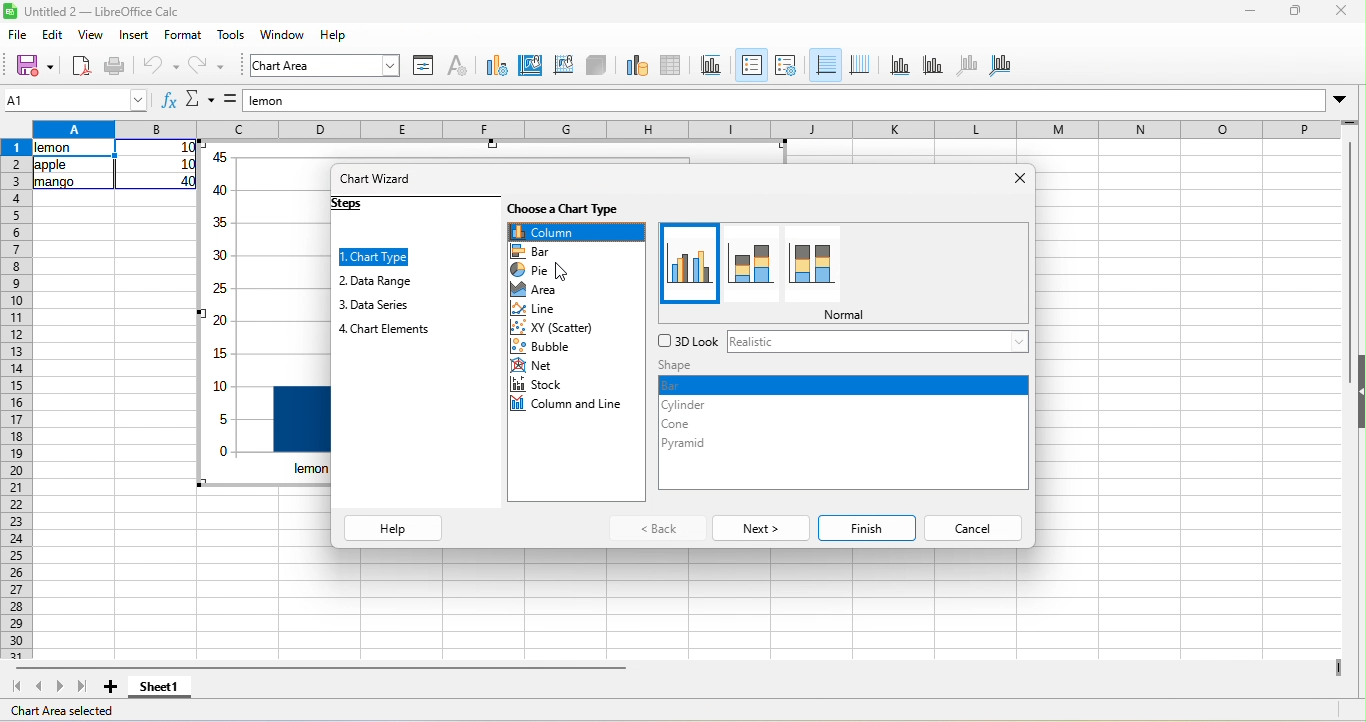 The width and height of the screenshot is (1366, 722). What do you see at coordinates (753, 64) in the screenshot?
I see `legend on off` at bounding box center [753, 64].